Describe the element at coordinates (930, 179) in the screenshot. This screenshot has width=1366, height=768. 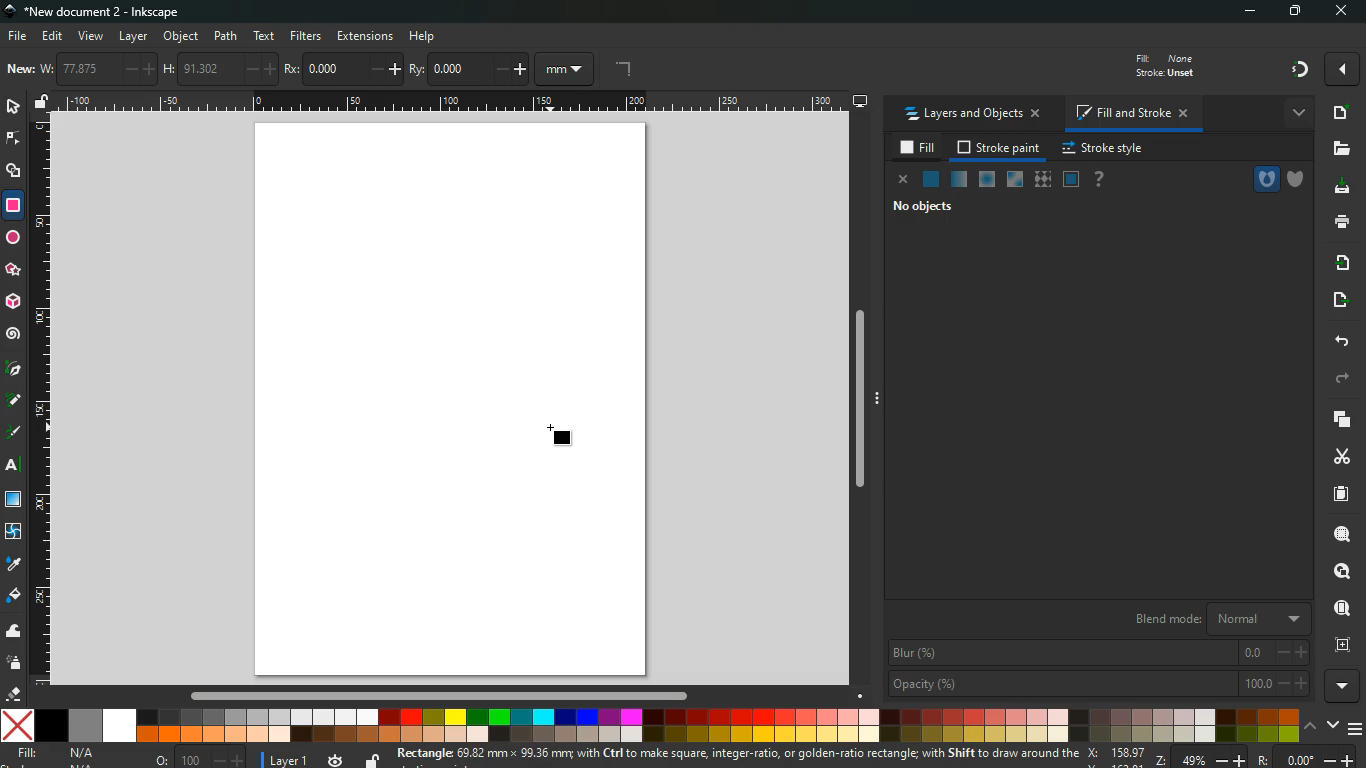
I see `normal` at that location.